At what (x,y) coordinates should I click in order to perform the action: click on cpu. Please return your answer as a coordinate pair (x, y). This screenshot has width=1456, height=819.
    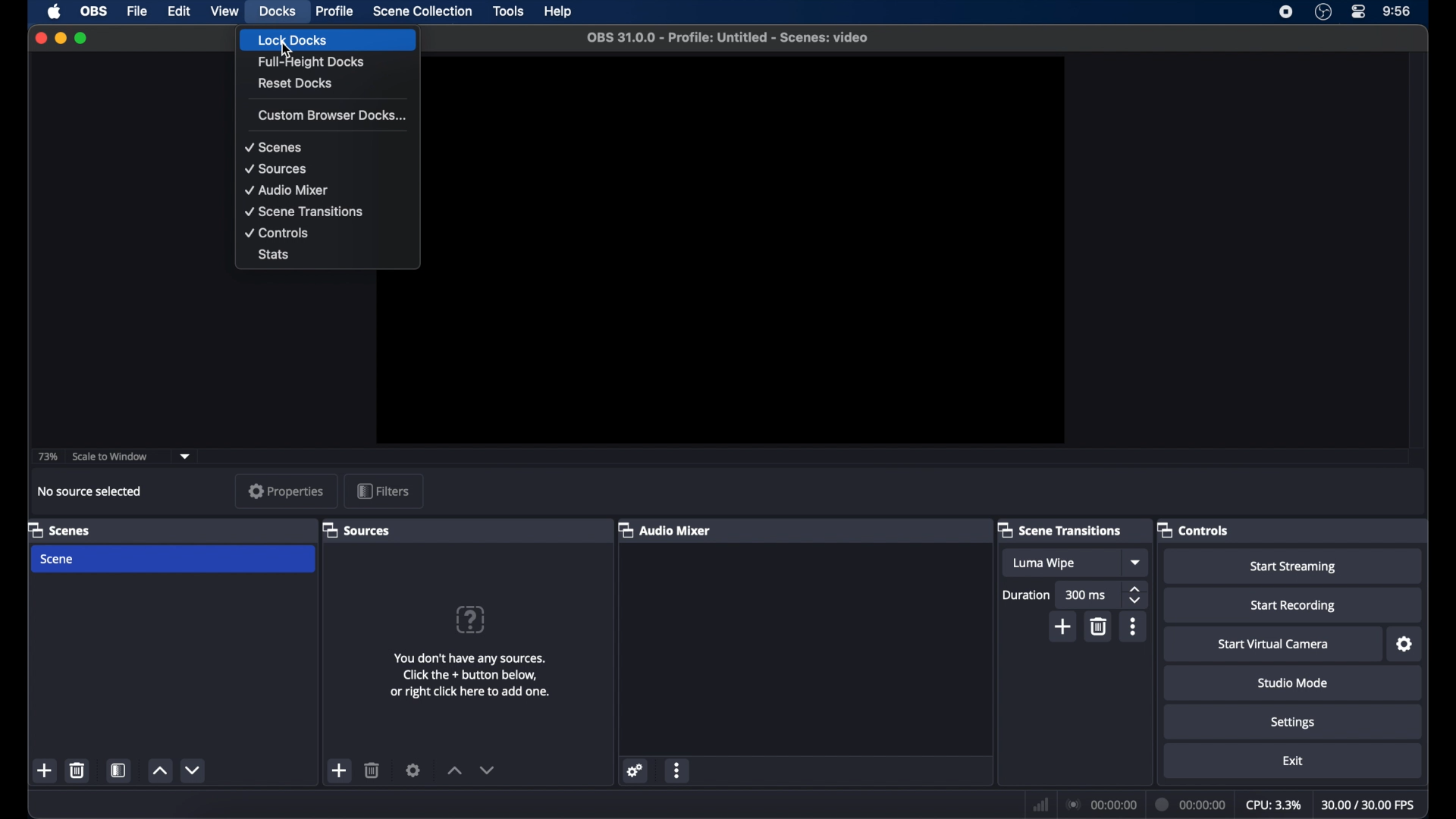
    Looking at the image, I should click on (1273, 804).